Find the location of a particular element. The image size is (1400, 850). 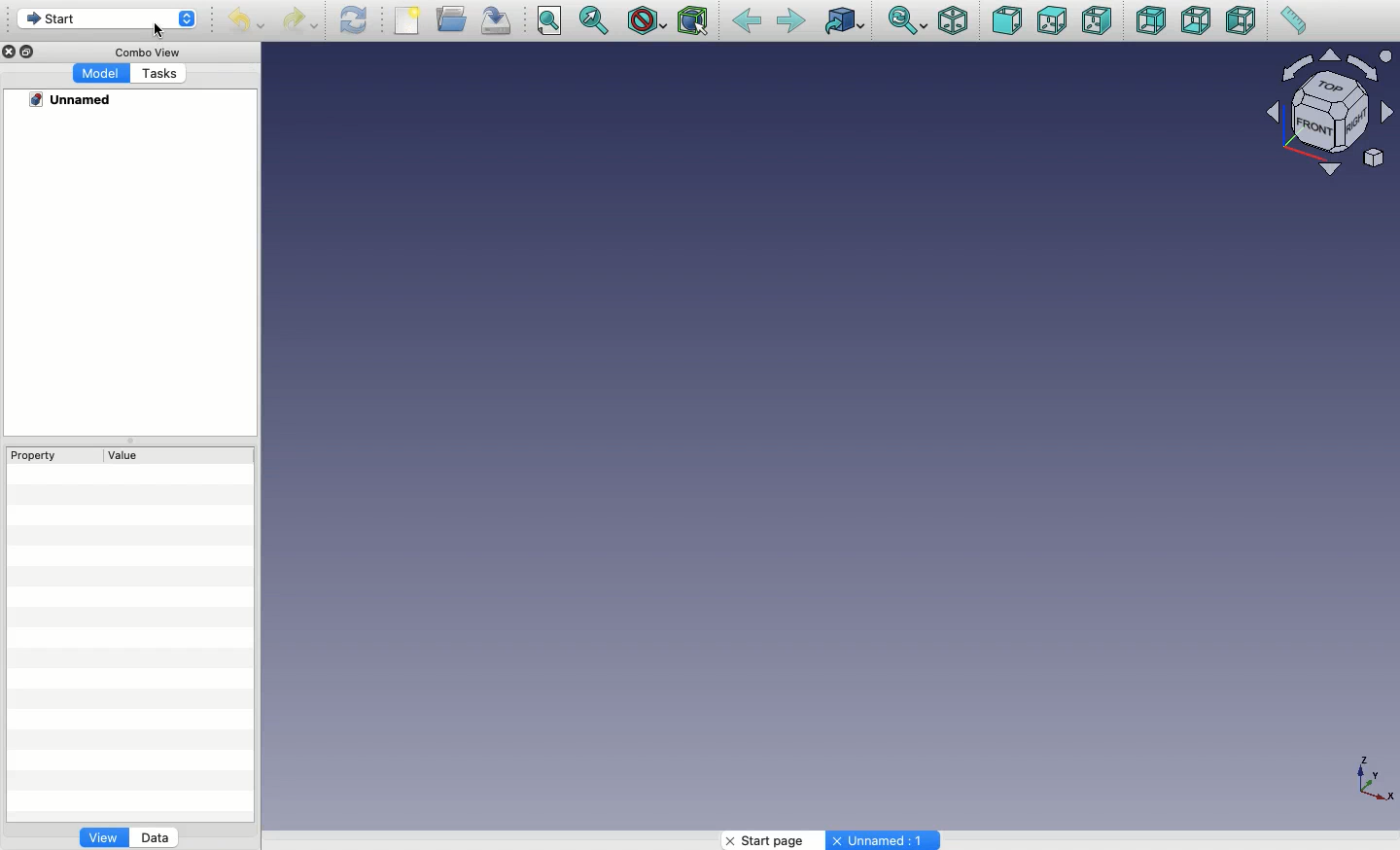

Axis is located at coordinates (1374, 780).